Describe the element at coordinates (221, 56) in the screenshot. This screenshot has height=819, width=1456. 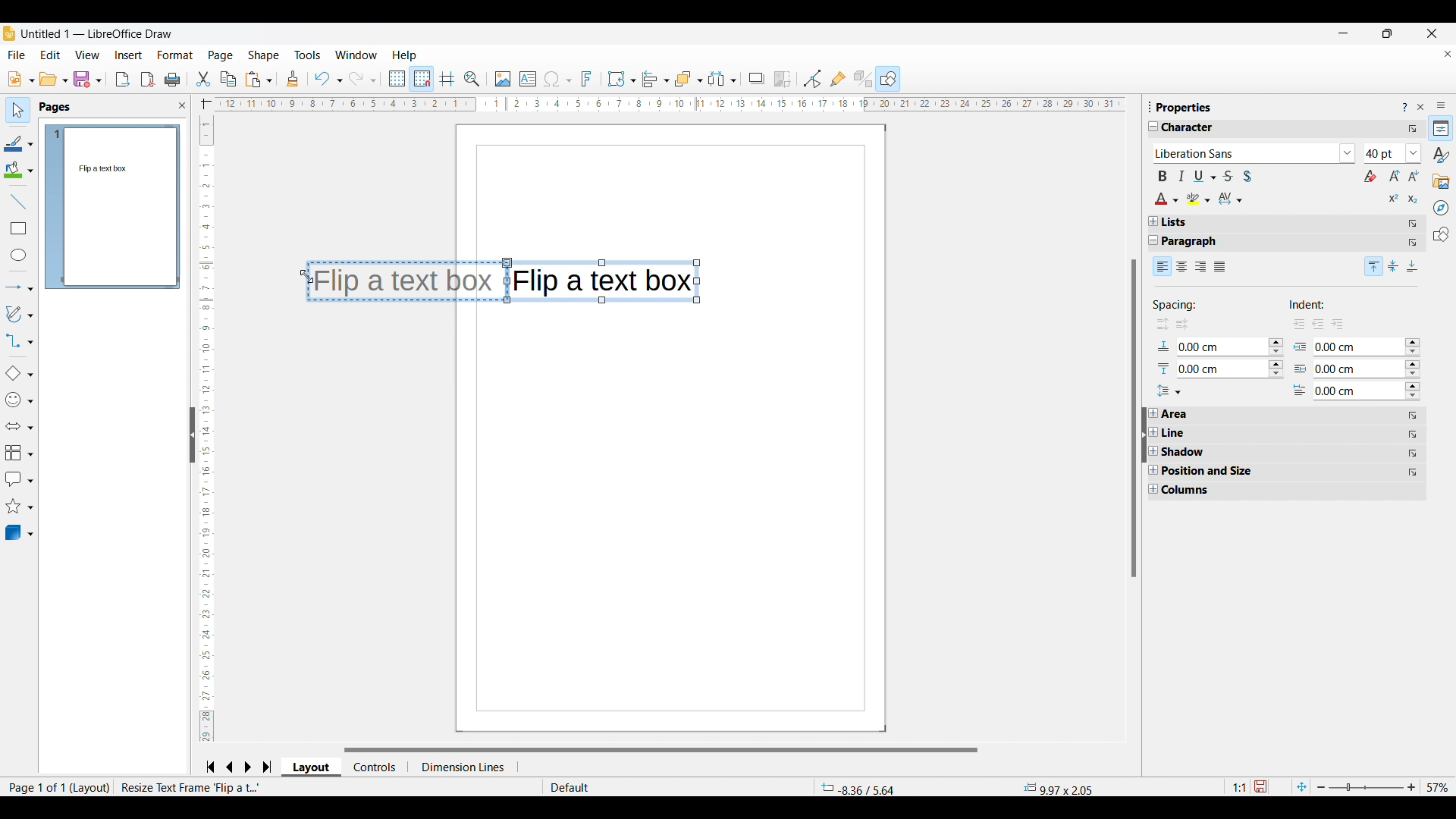
I see `Page menu` at that location.